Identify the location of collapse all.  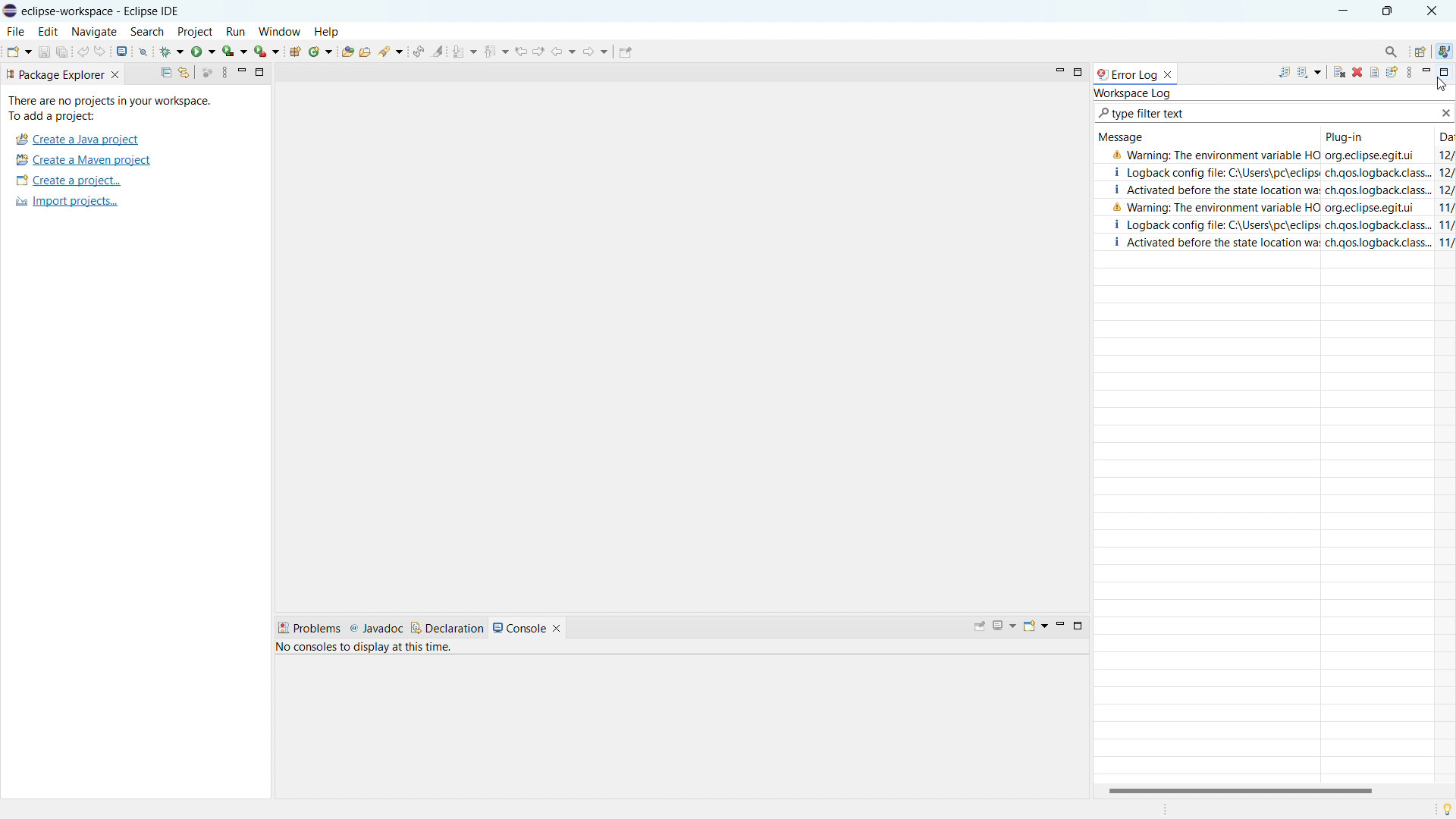
(158, 72).